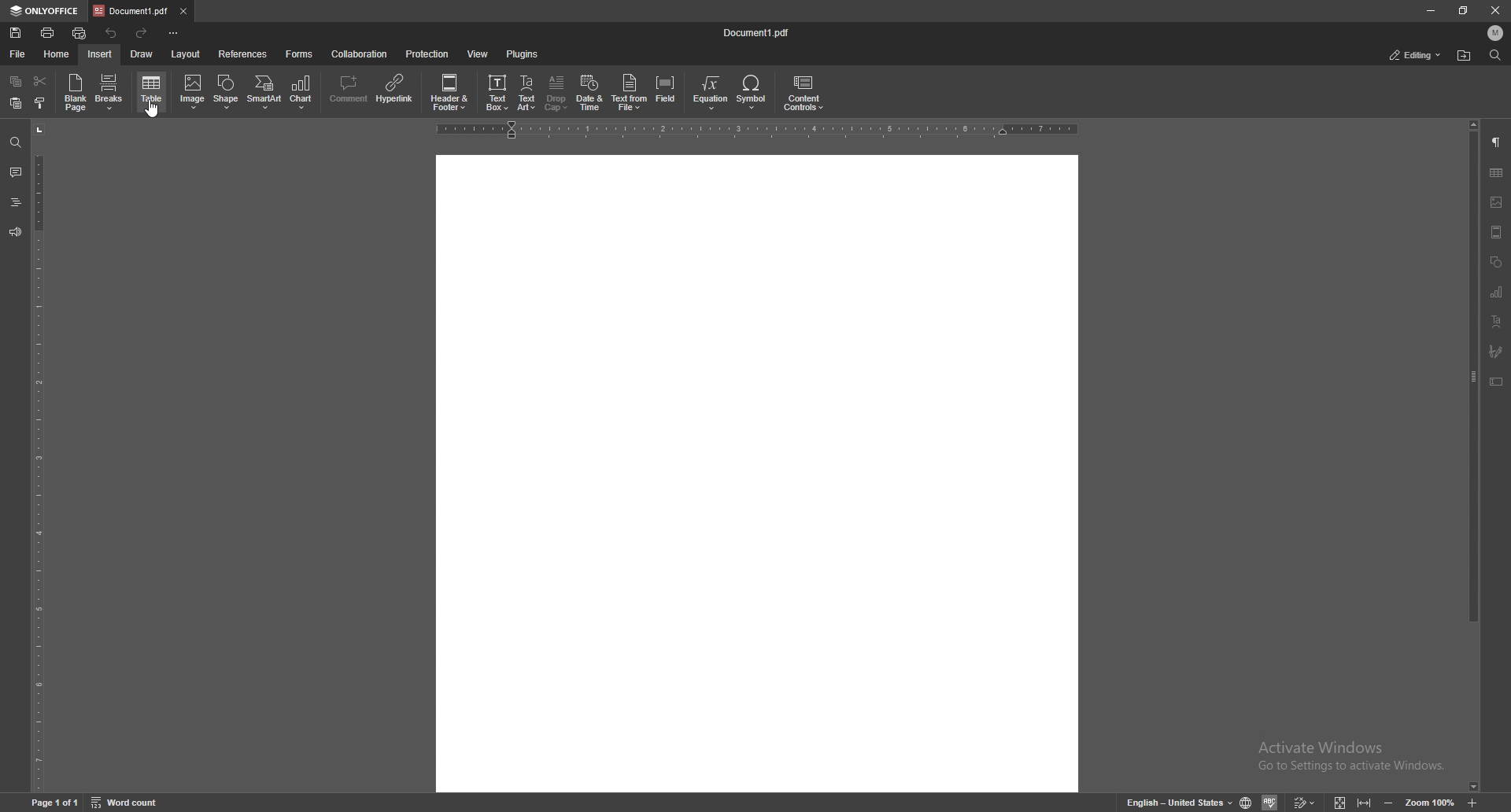 Image resolution: width=1511 pixels, height=812 pixels. What do you see at coordinates (1498, 293) in the screenshot?
I see `chart` at bounding box center [1498, 293].